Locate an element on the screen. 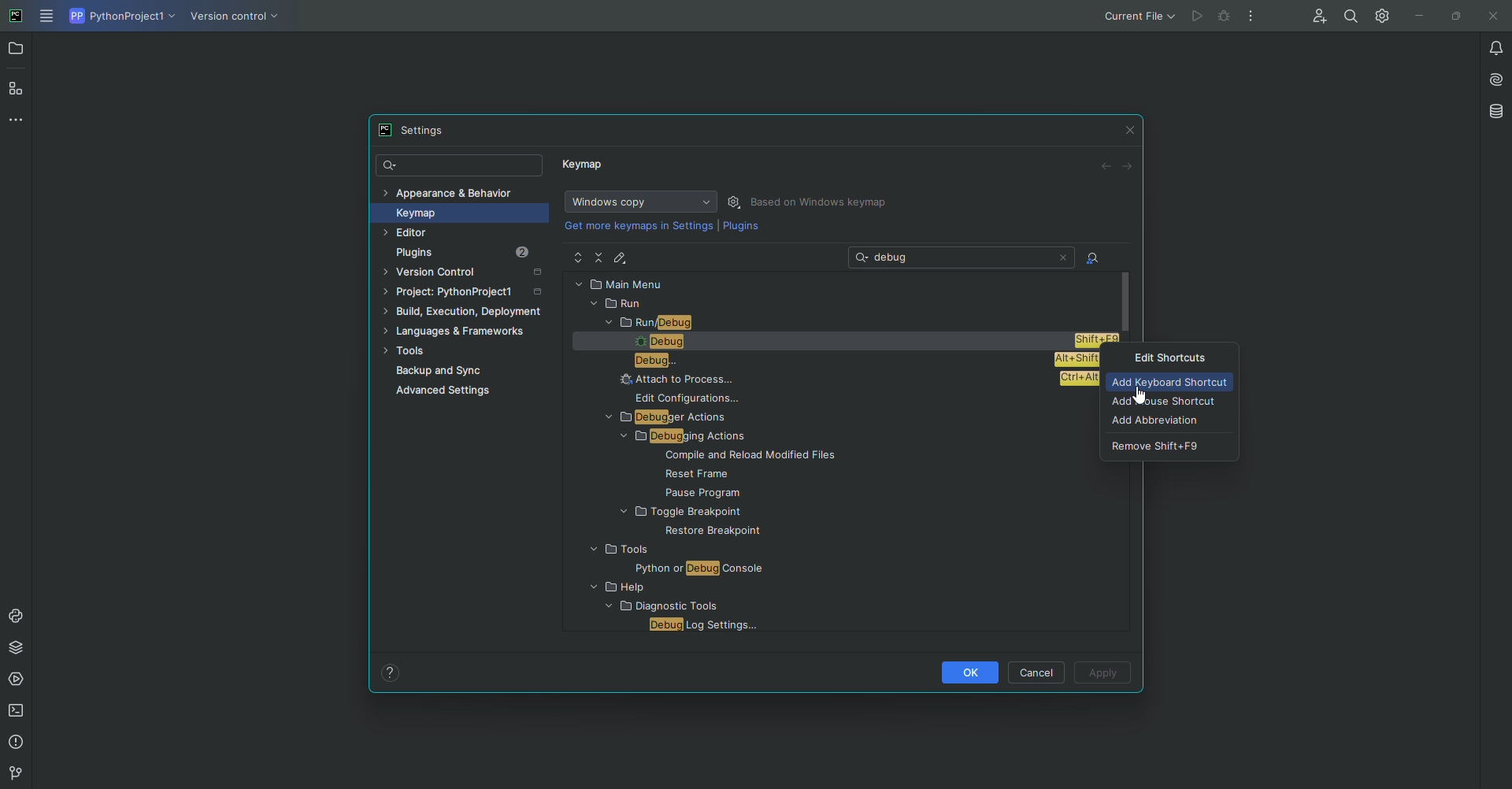 The height and width of the screenshot is (789, 1512). Packages is located at coordinates (20, 647).